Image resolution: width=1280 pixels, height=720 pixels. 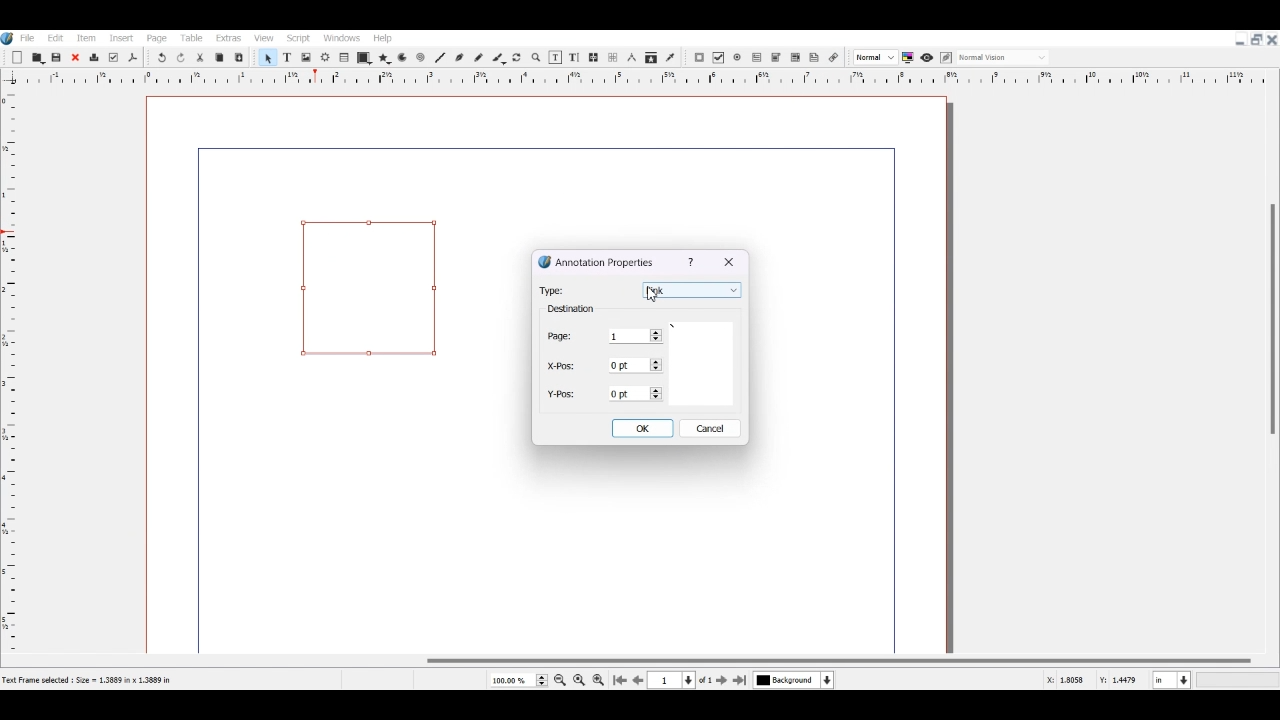 I want to click on Toggle color management system, so click(x=909, y=57).